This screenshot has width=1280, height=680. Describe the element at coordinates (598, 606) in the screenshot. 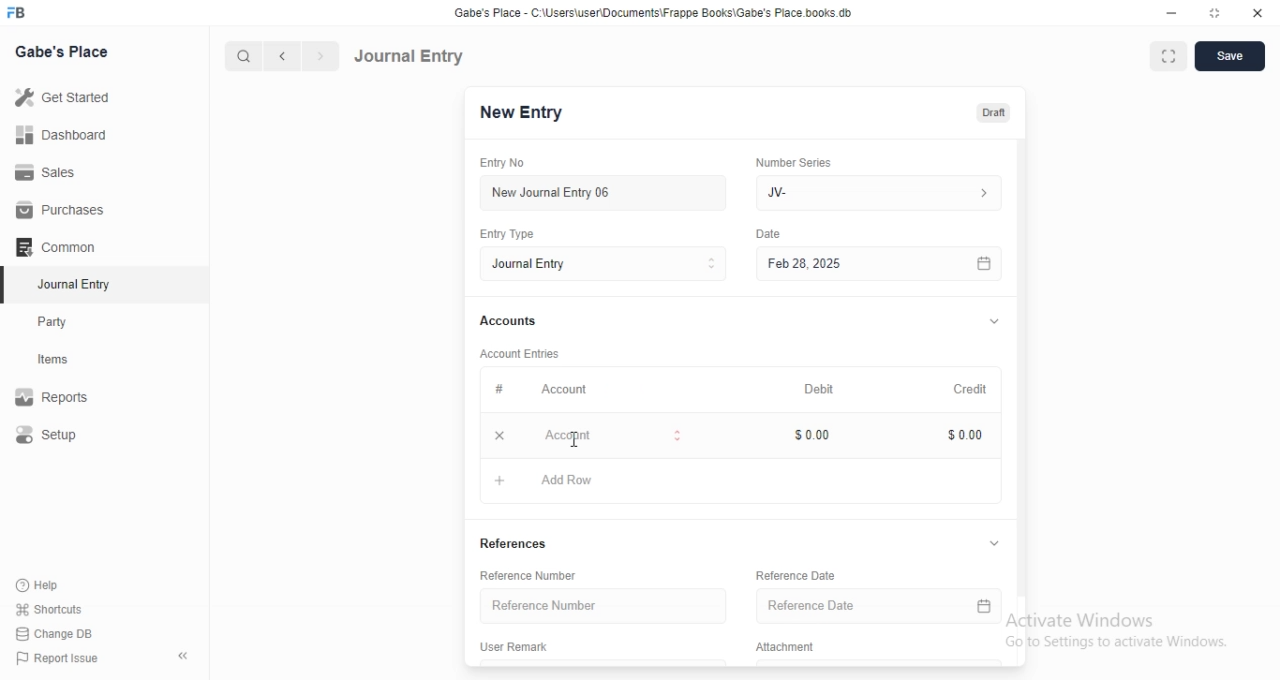

I see `Reference Number` at that location.